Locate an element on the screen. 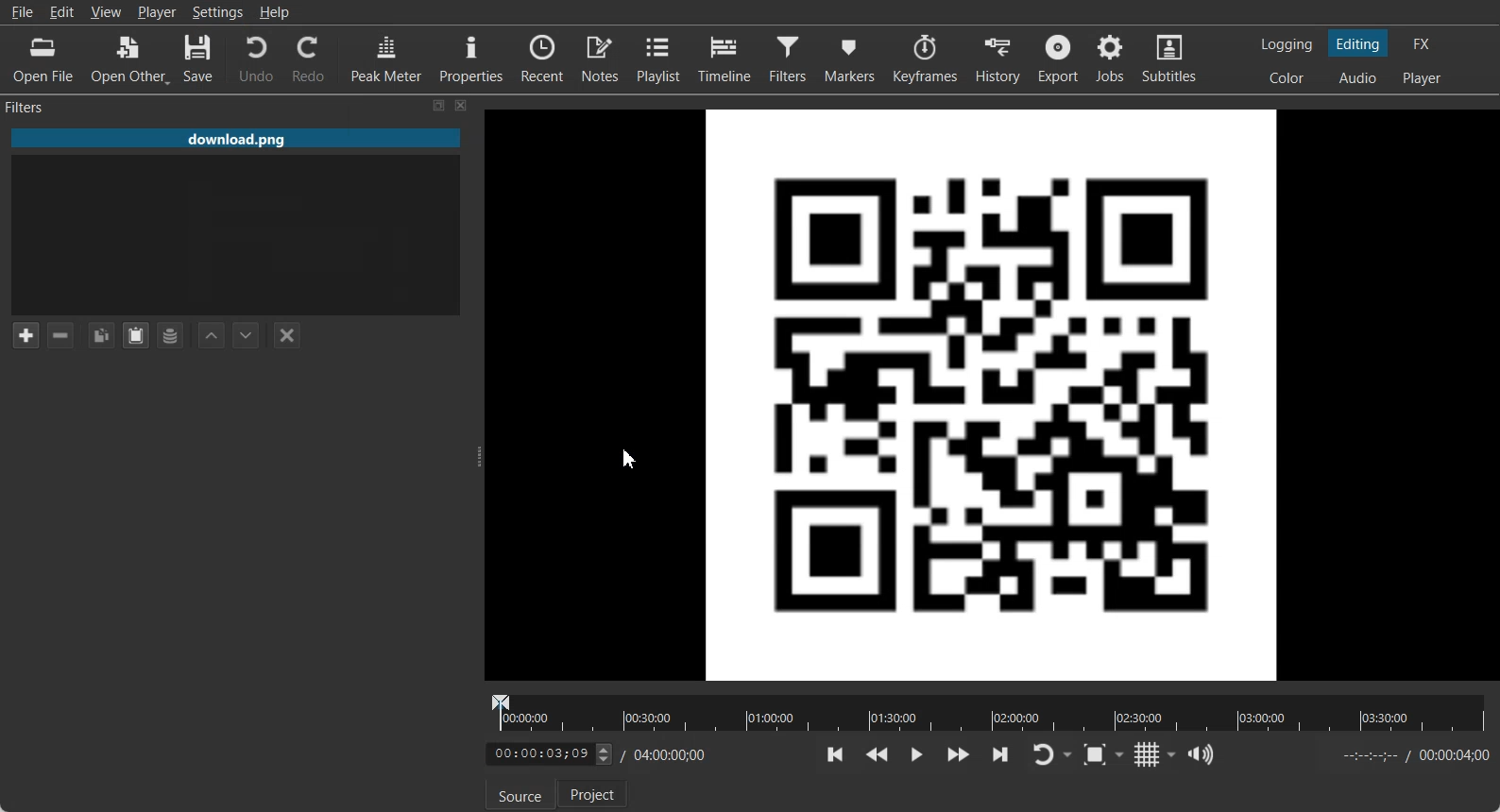  Notes is located at coordinates (601, 58).